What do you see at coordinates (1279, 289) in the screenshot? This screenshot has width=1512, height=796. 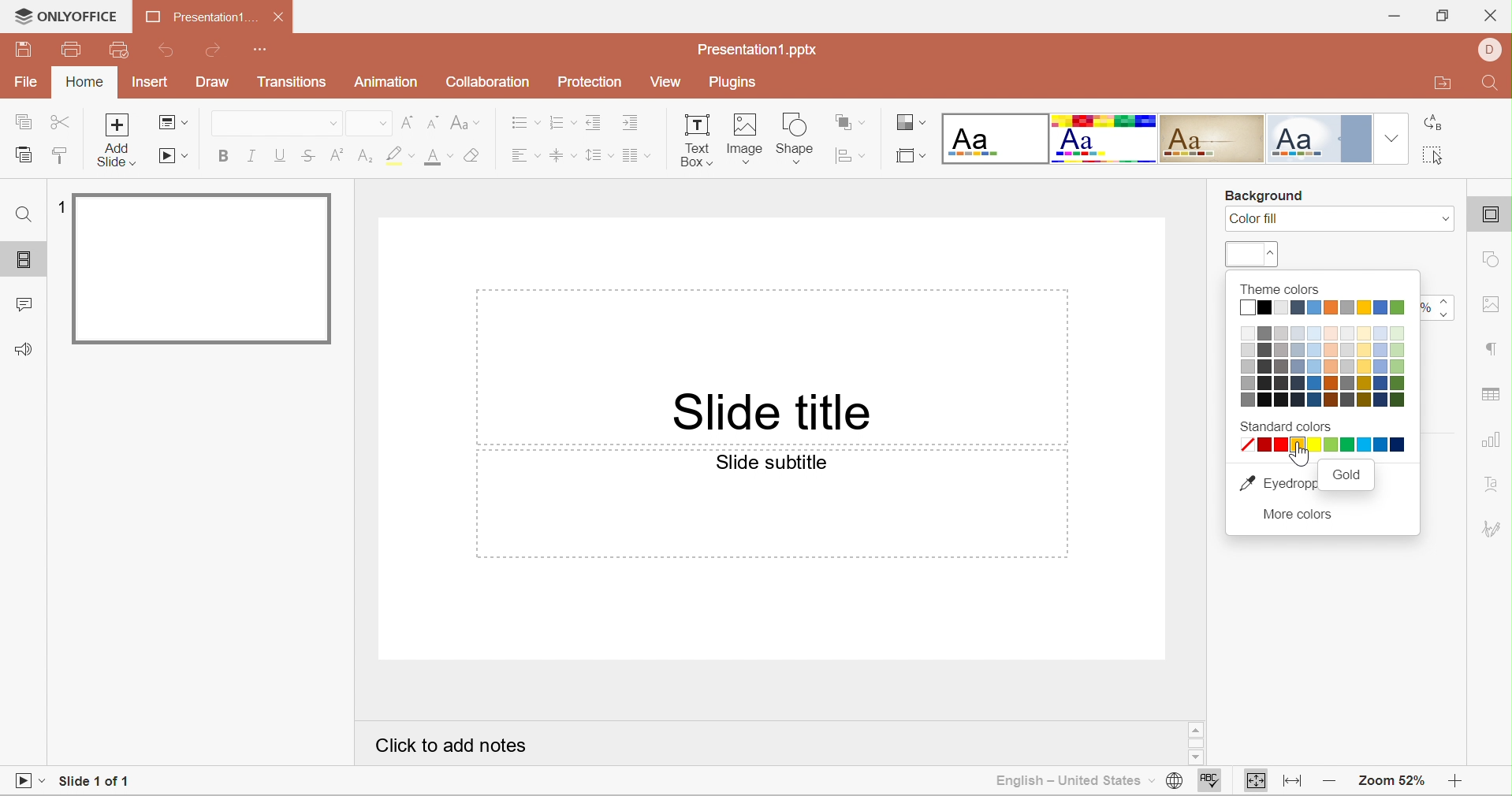 I see `Theme colors` at bounding box center [1279, 289].